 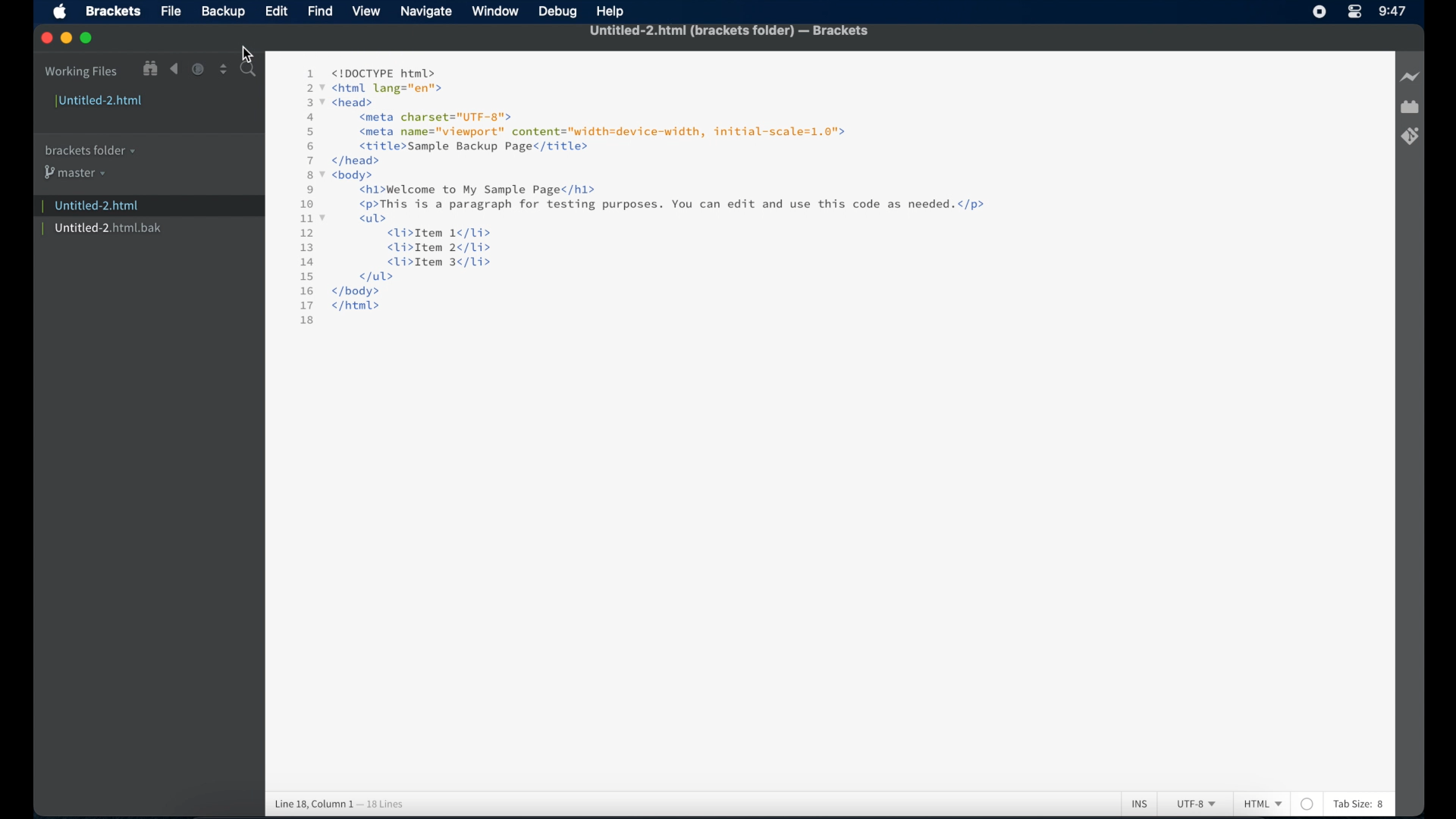 I want to click on search bar, so click(x=249, y=70).